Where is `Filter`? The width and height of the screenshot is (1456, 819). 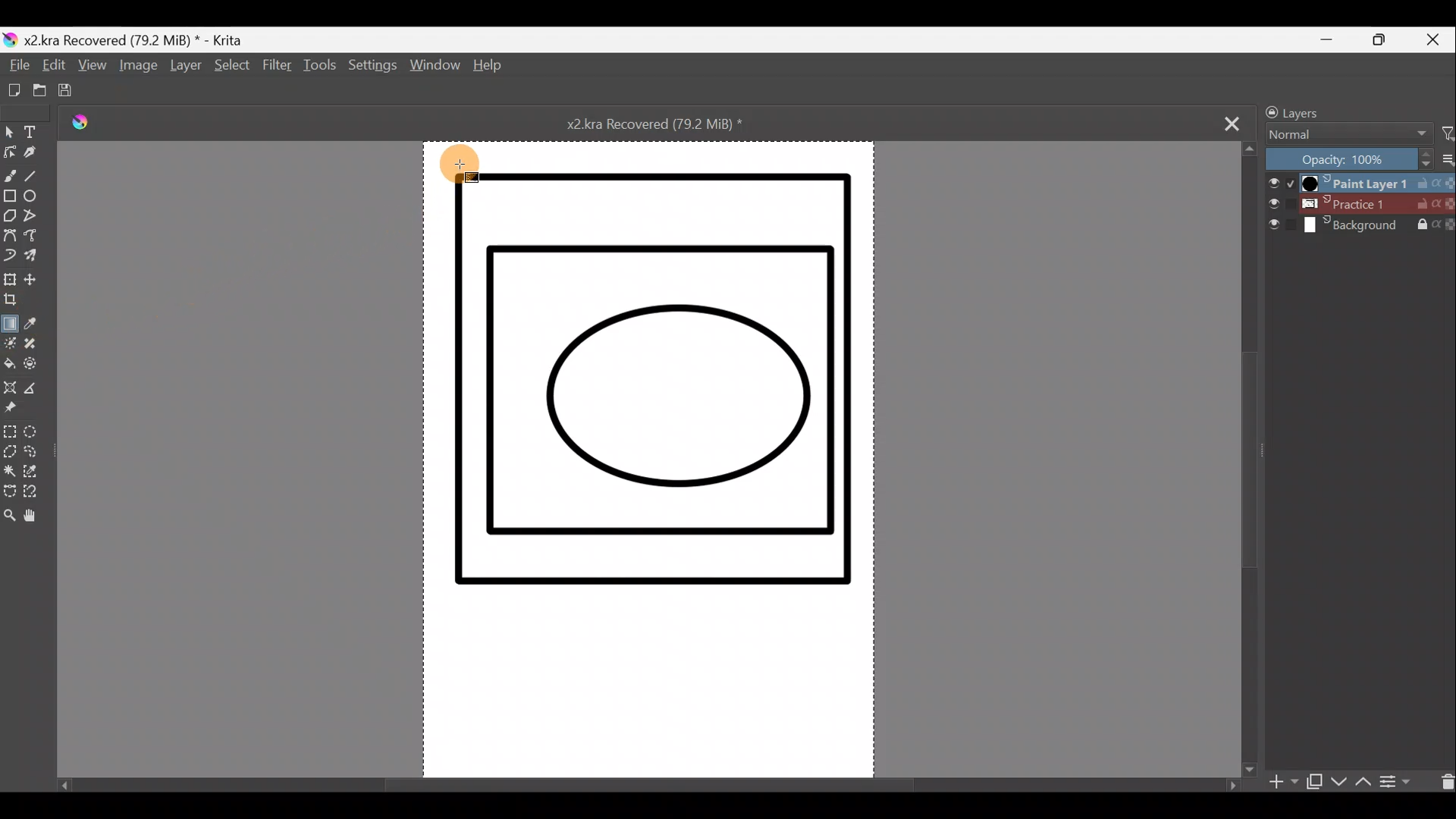 Filter is located at coordinates (277, 73).